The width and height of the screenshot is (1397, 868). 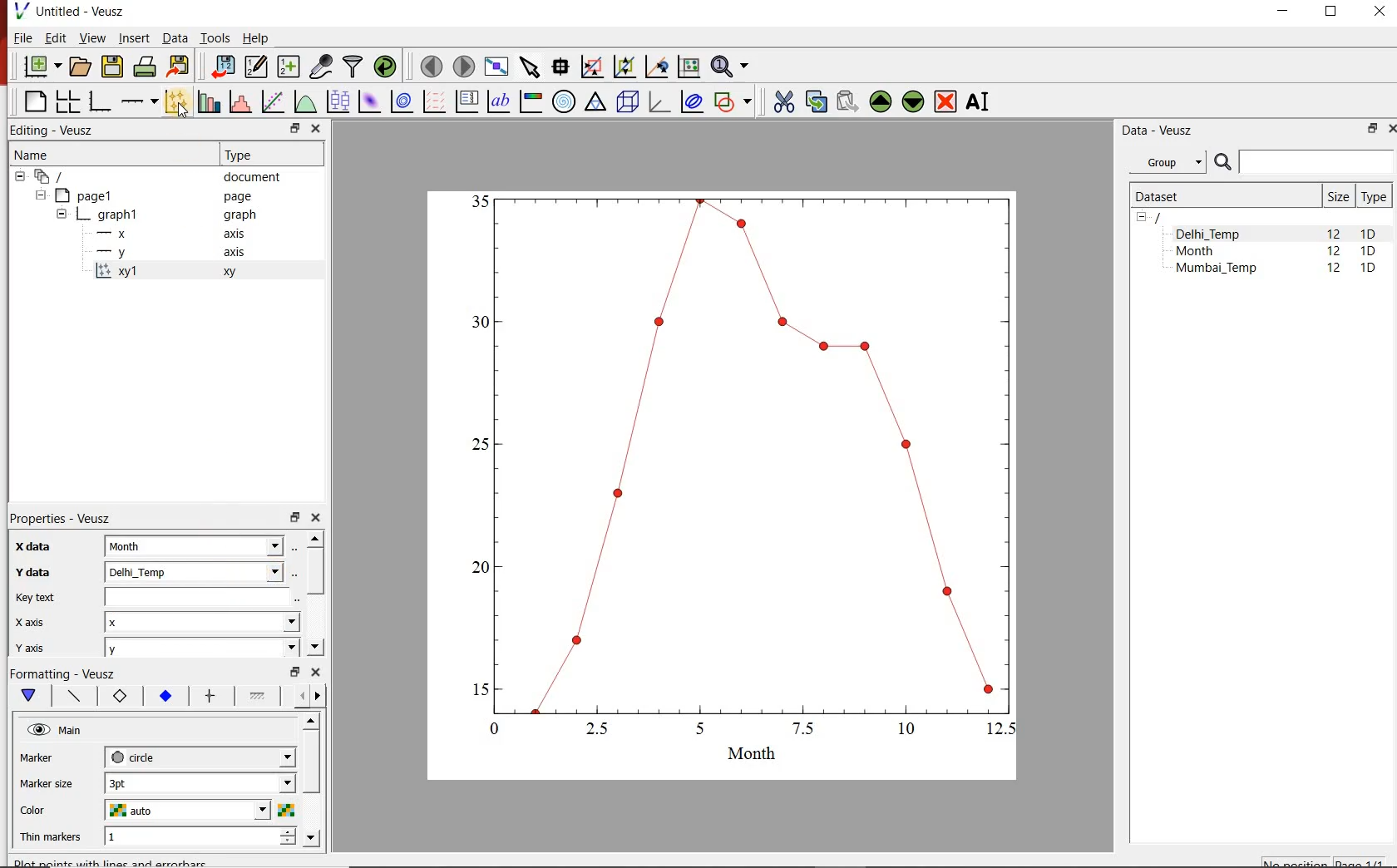 What do you see at coordinates (814, 101) in the screenshot?
I see `copy the selected widget` at bounding box center [814, 101].